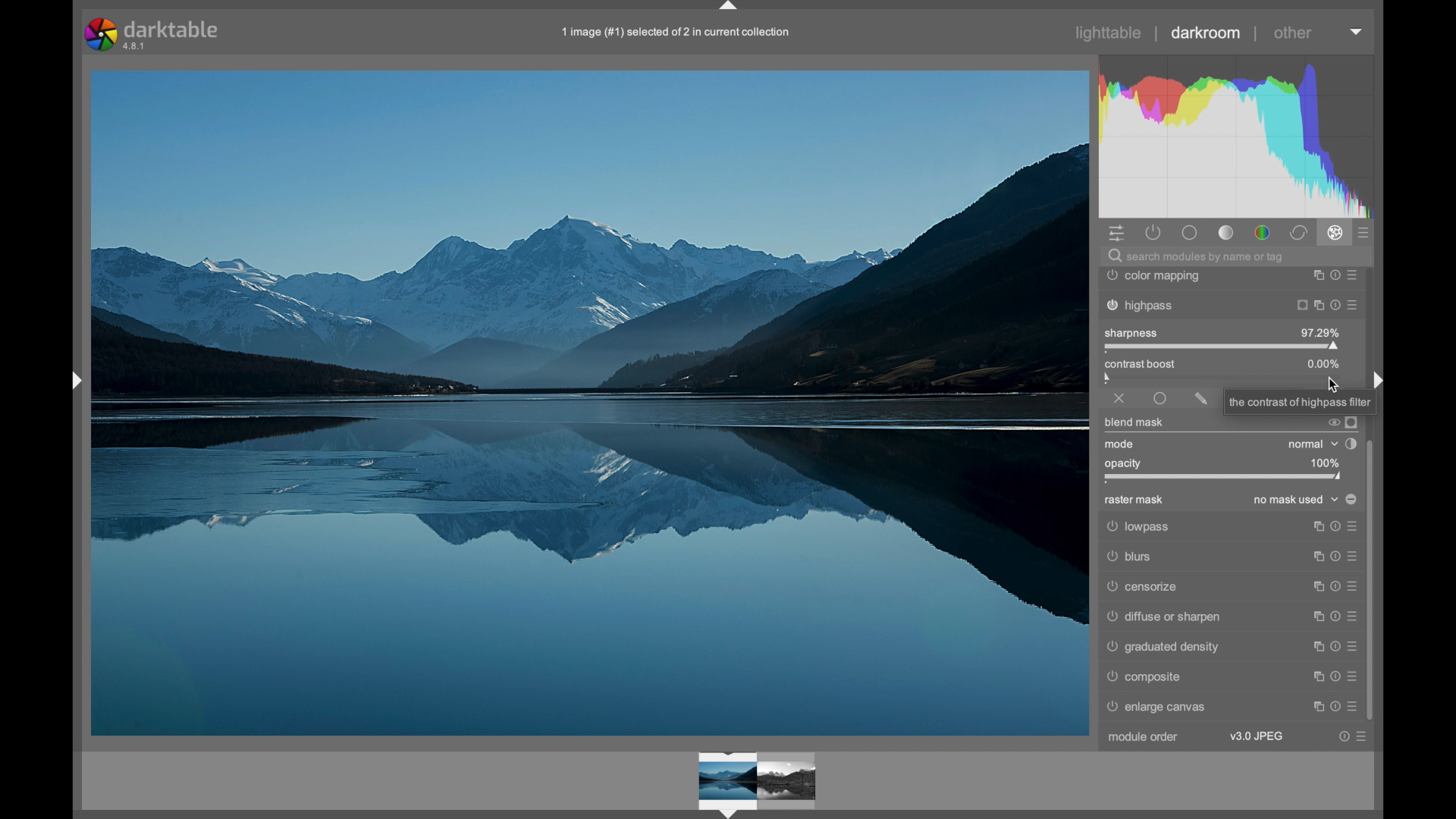  What do you see at coordinates (1351, 444) in the screenshot?
I see `toggle blending order` at bounding box center [1351, 444].